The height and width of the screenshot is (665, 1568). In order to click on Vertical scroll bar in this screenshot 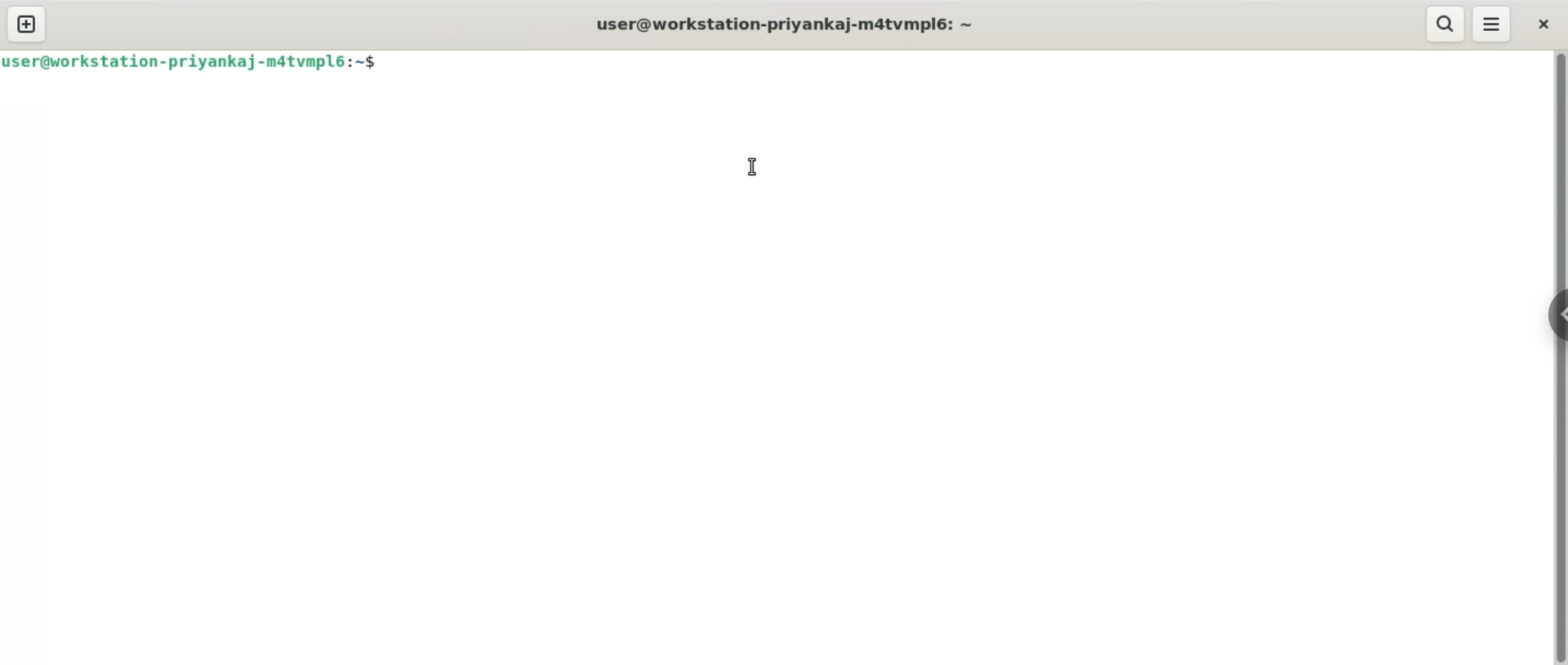, I will do `click(1558, 358)`.